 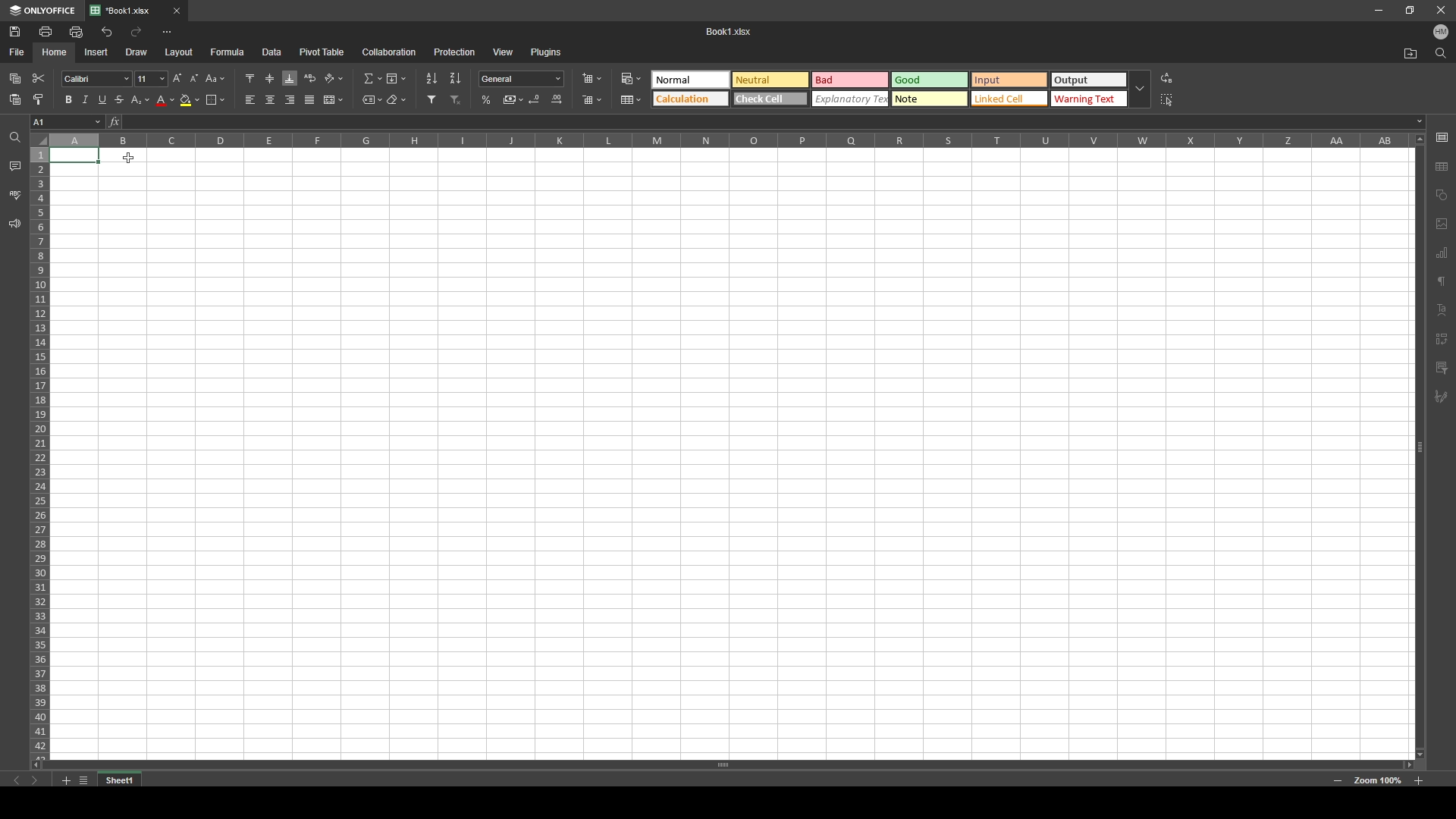 I want to click on spell check, so click(x=14, y=195).